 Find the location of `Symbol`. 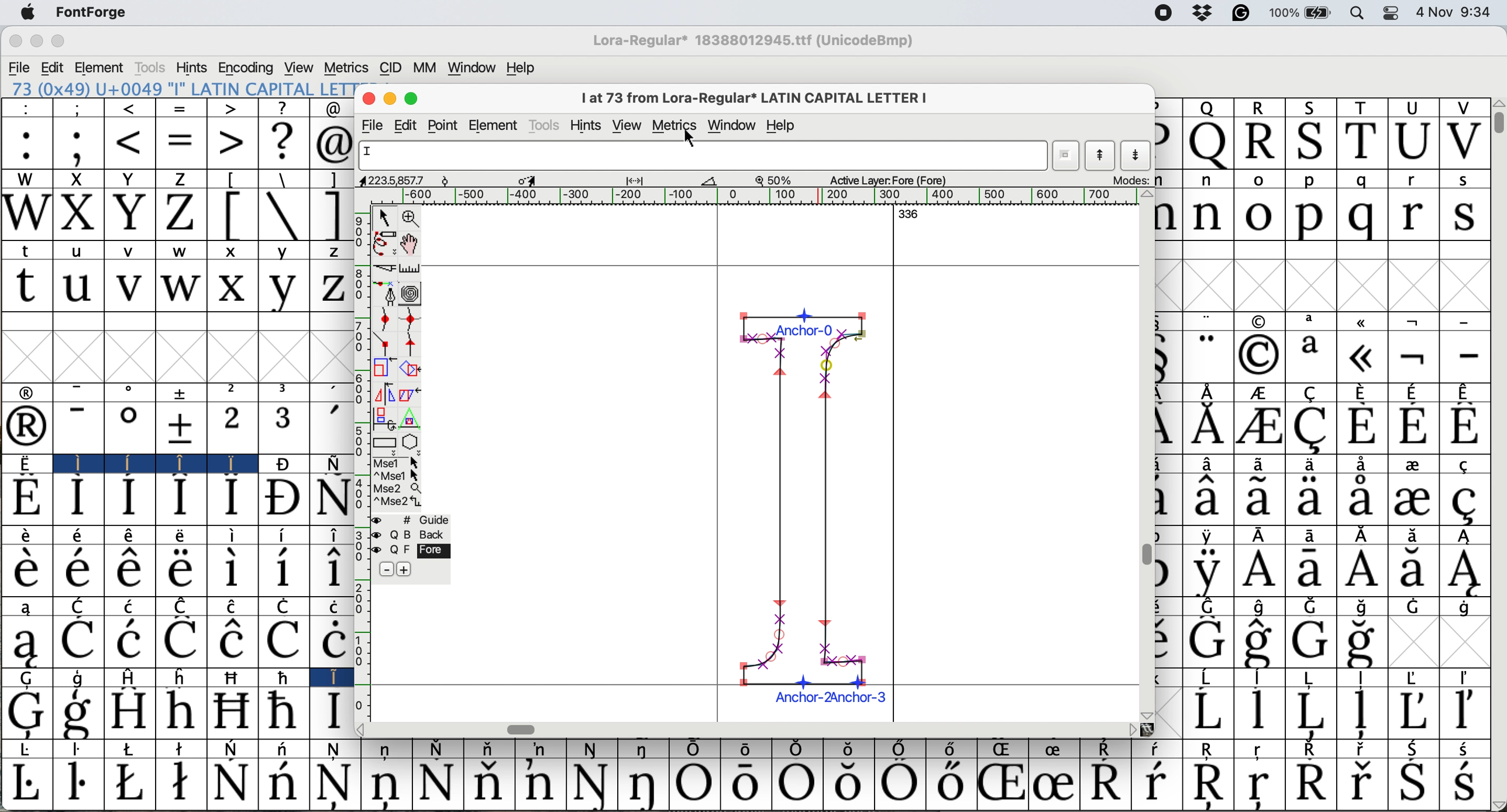

Symbol is located at coordinates (181, 748).